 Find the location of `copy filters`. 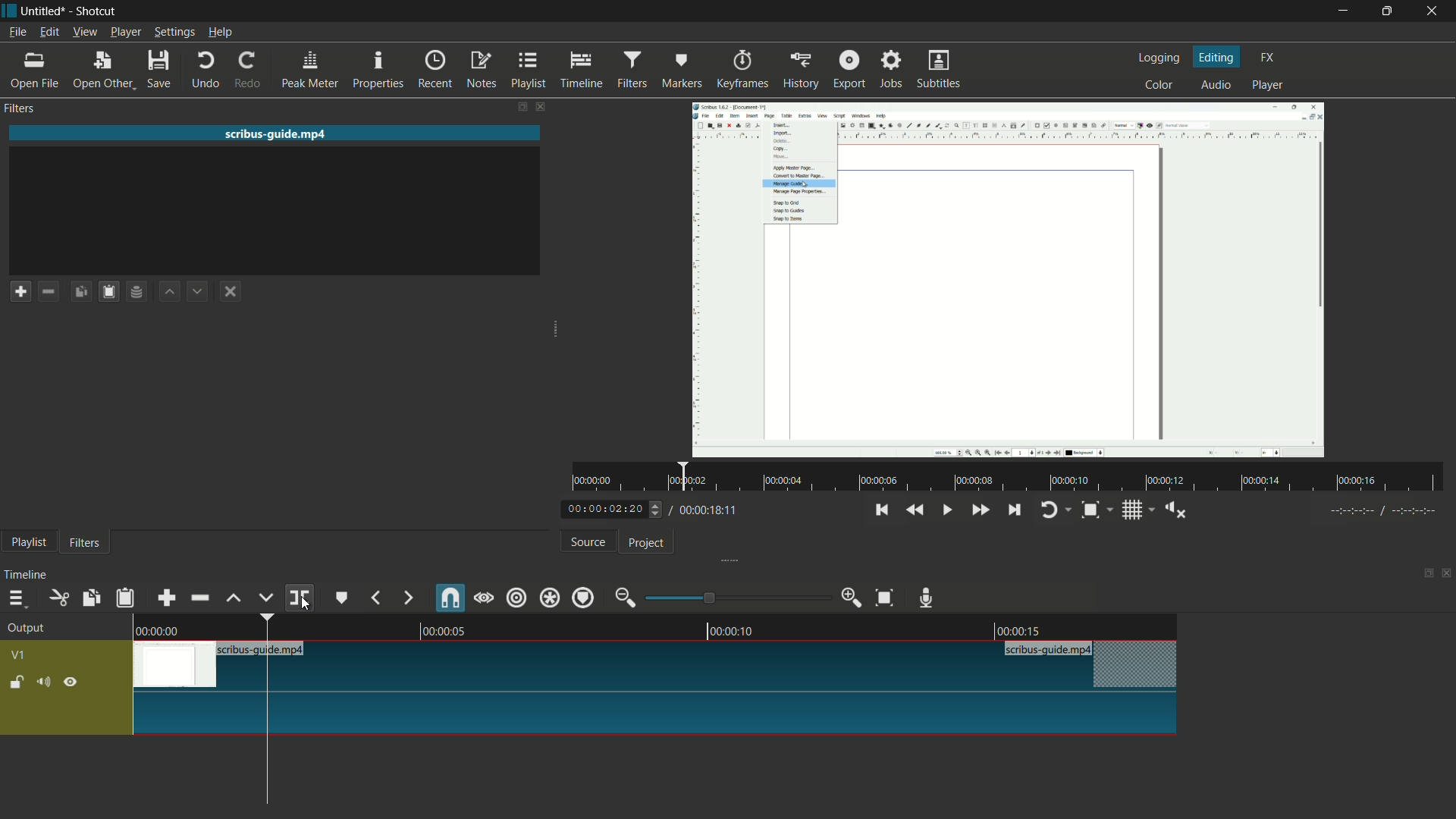

copy filters is located at coordinates (81, 292).